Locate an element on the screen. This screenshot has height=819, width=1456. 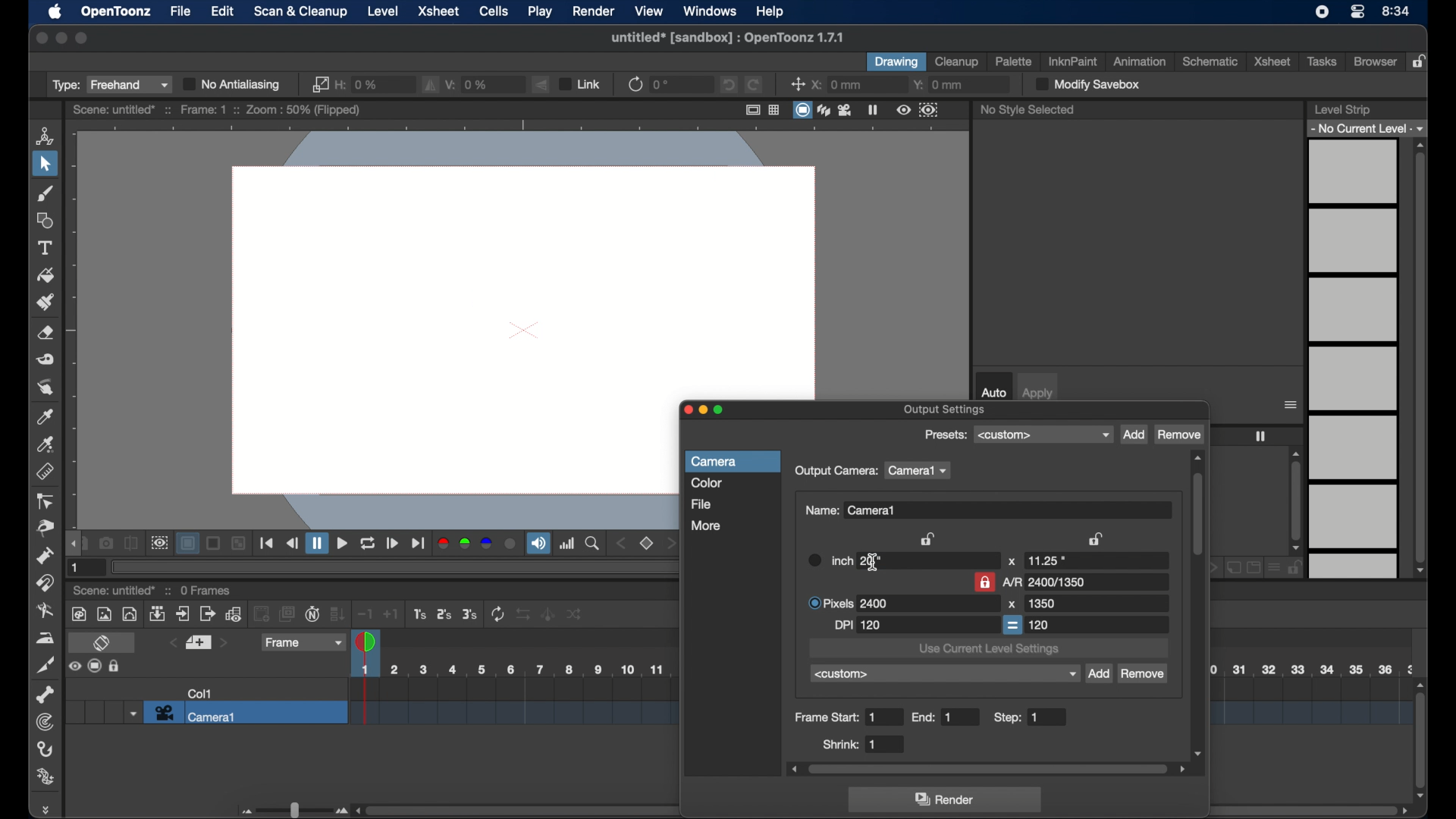
maximize is located at coordinates (722, 411).